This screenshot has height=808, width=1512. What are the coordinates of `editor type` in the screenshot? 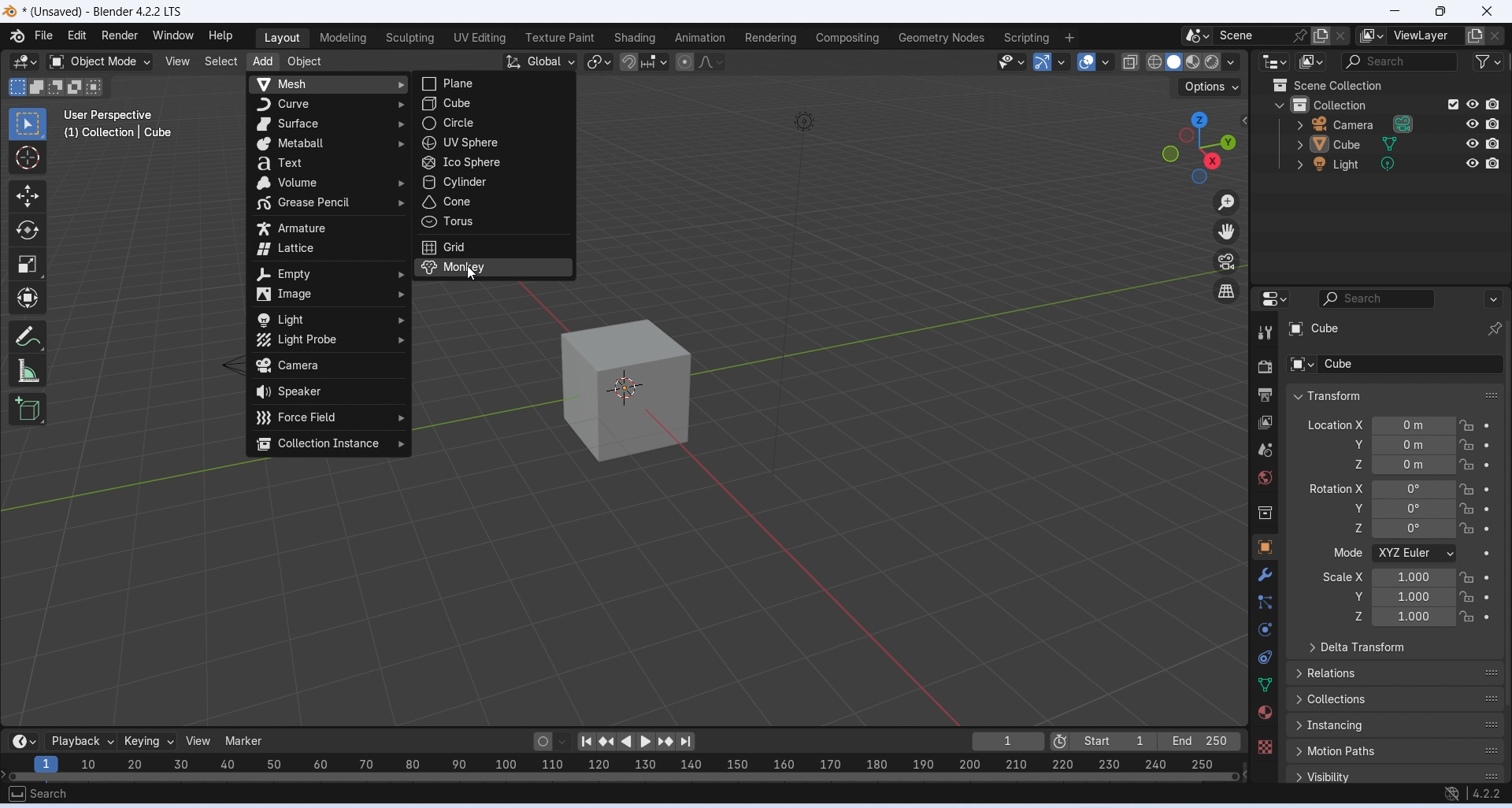 It's located at (1274, 297).